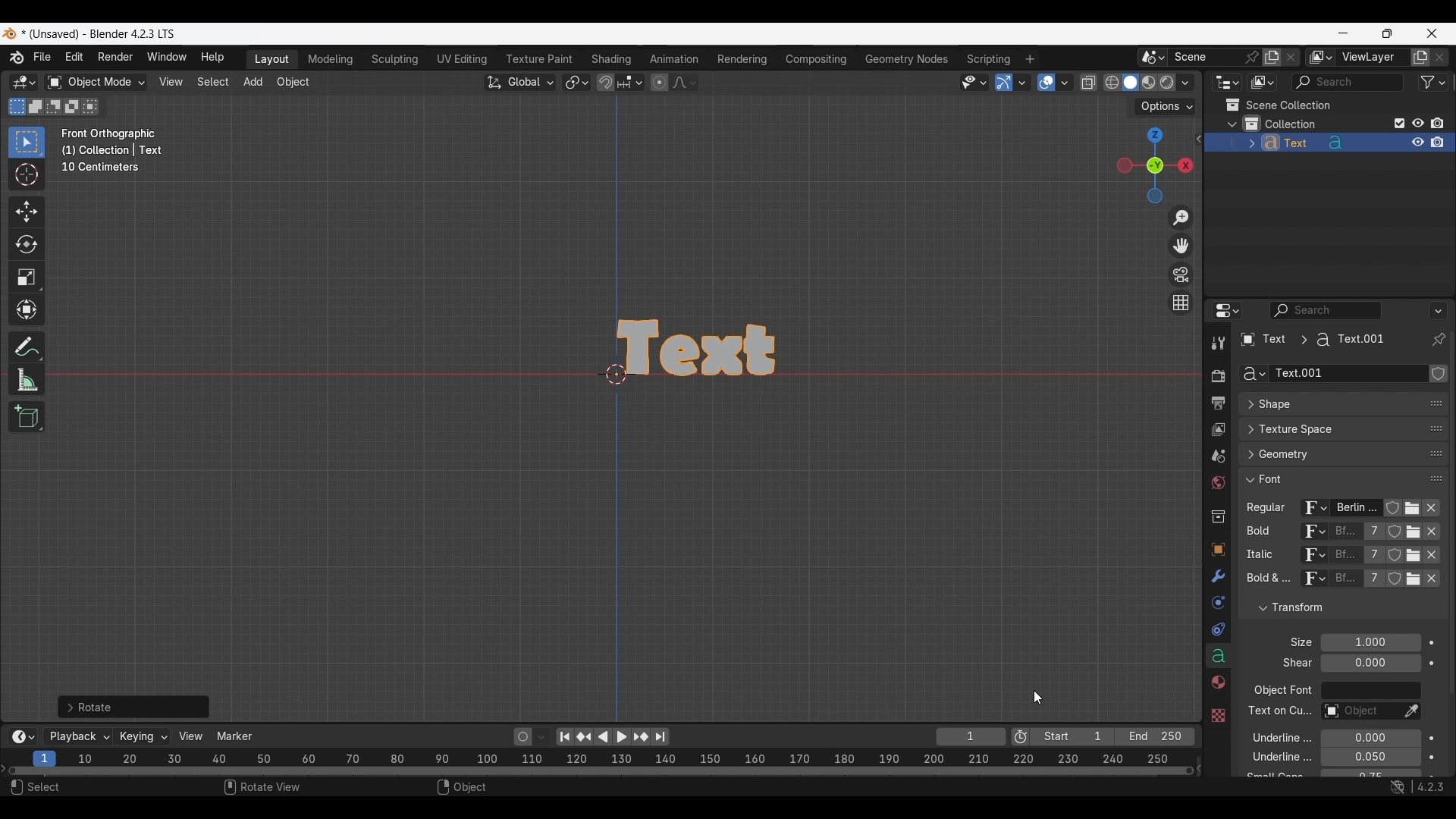 The image size is (1456, 819). What do you see at coordinates (1387, 33) in the screenshot?
I see `Show interface in a smaller tab` at bounding box center [1387, 33].